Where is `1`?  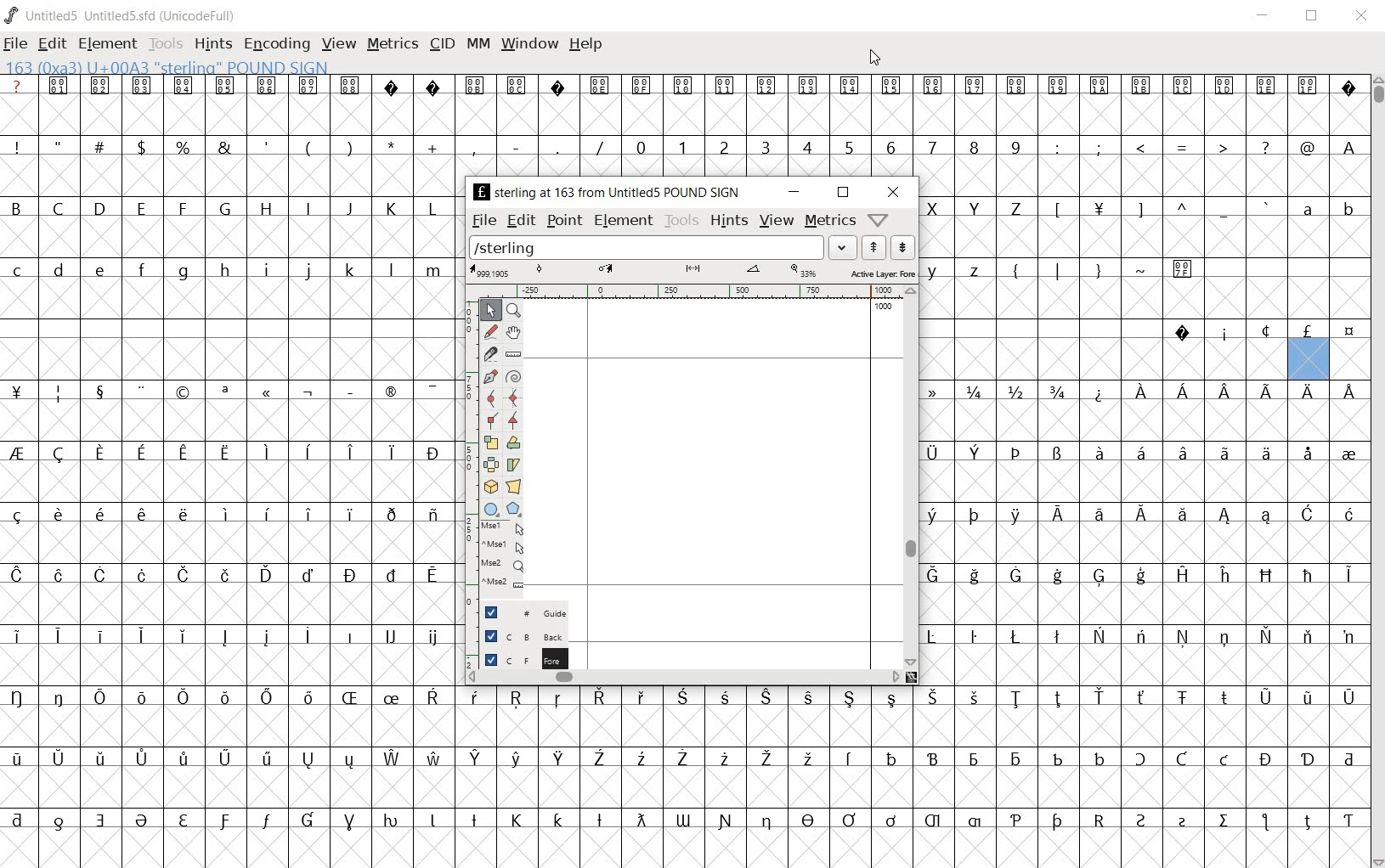 1 is located at coordinates (681, 146).